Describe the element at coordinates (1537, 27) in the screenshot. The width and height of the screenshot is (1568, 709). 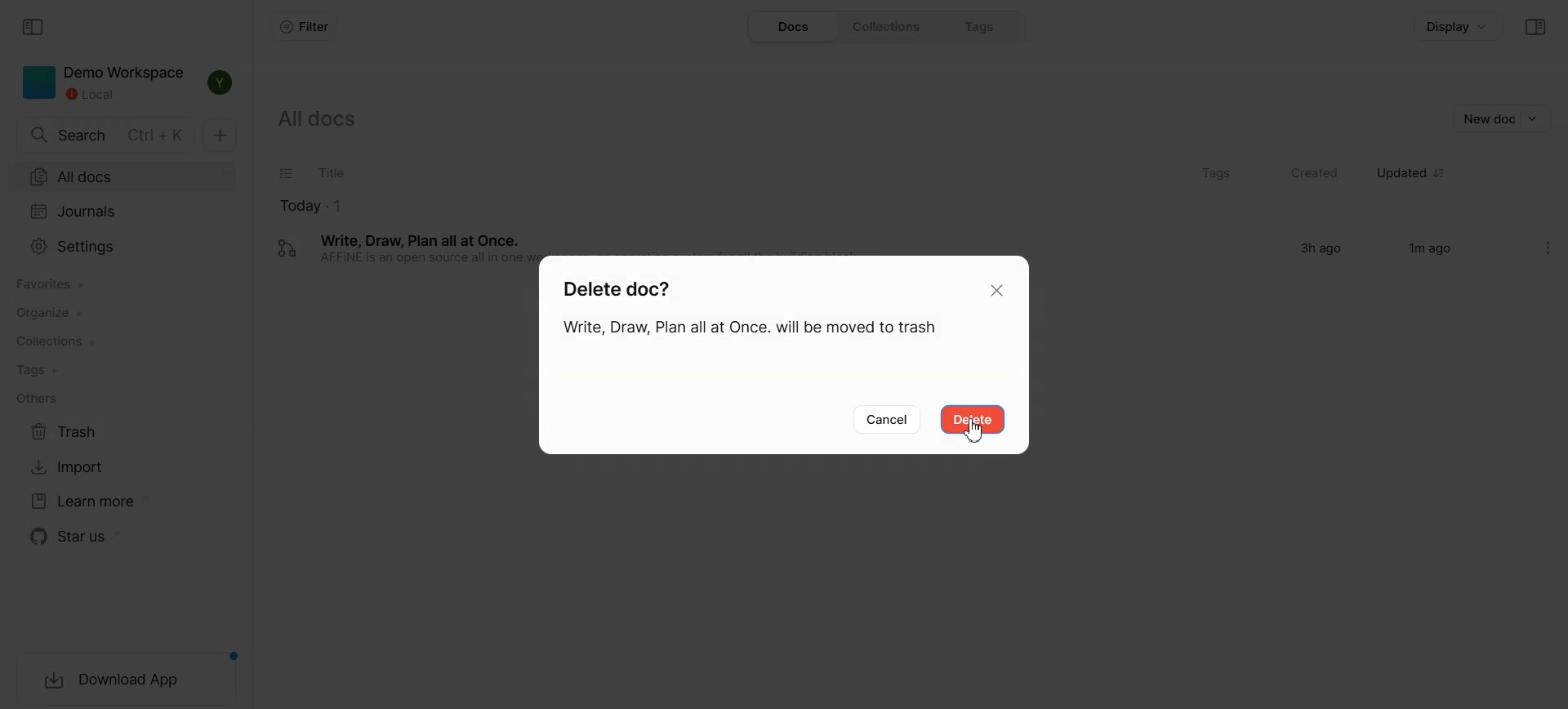
I see `Collapse sidebar` at that location.